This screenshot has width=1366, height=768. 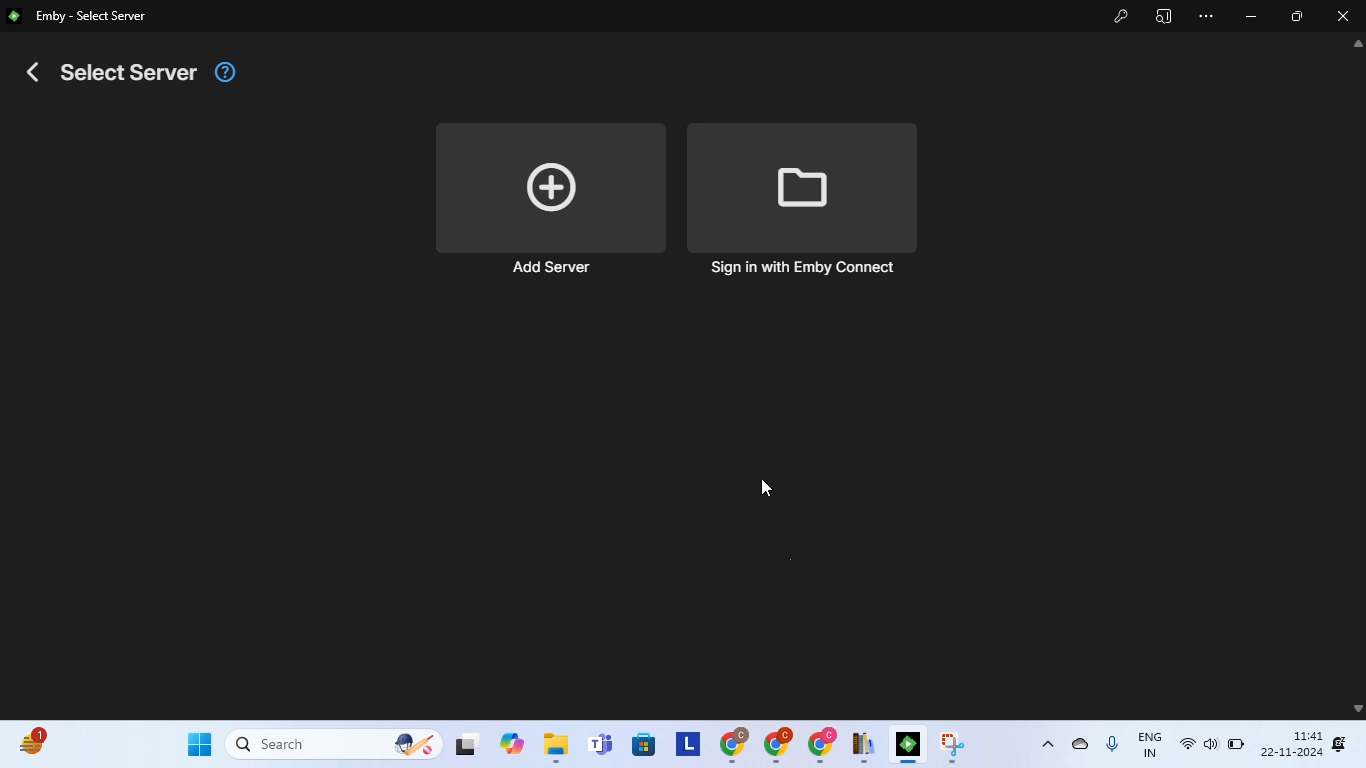 What do you see at coordinates (1340, 743) in the screenshot?
I see `notifications` at bounding box center [1340, 743].